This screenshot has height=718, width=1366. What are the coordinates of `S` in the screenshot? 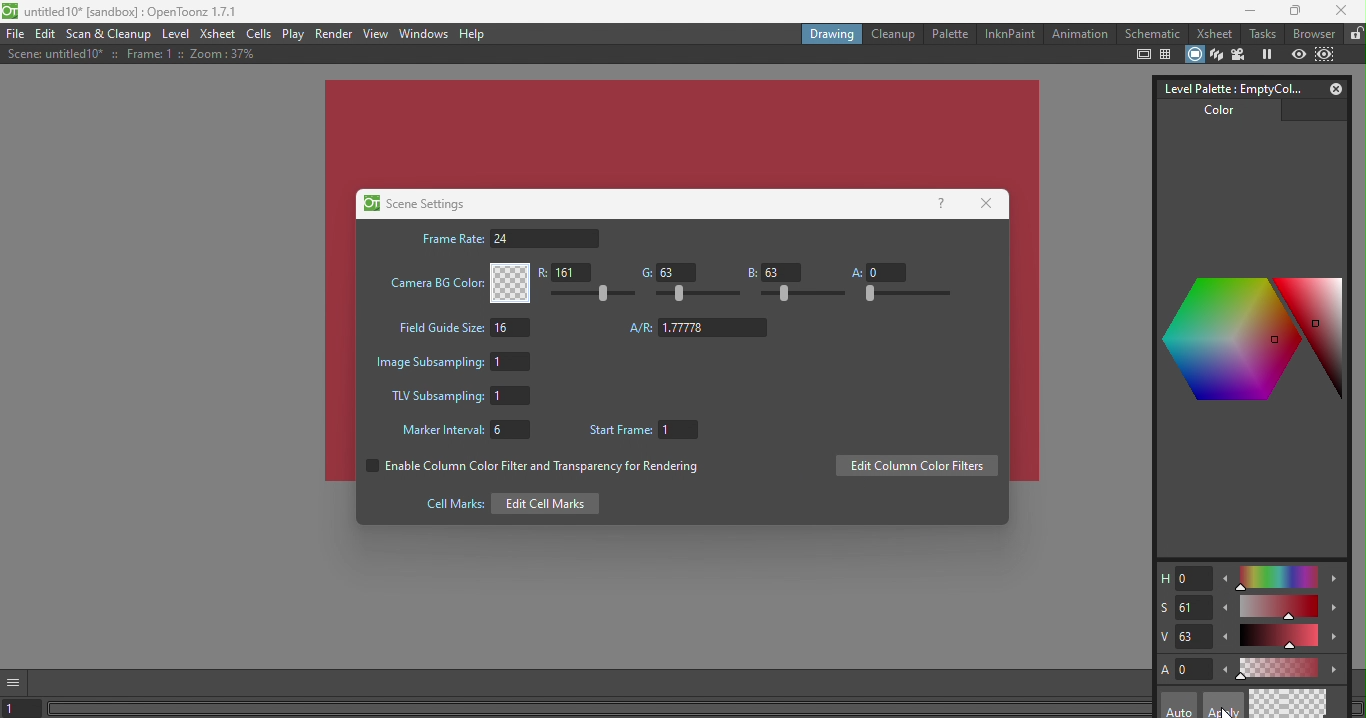 It's located at (1183, 606).